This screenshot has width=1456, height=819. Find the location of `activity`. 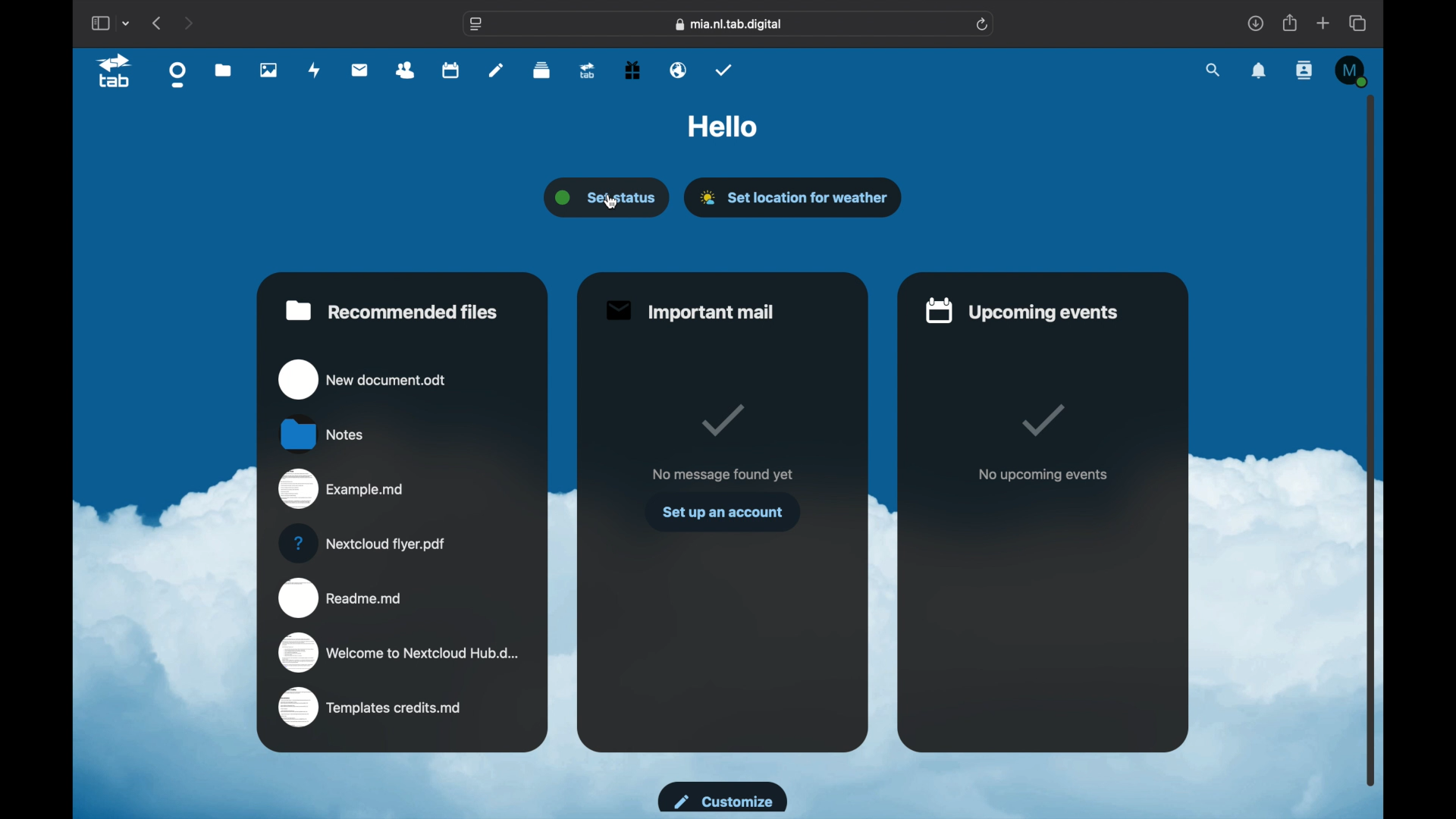

activity is located at coordinates (317, 70).